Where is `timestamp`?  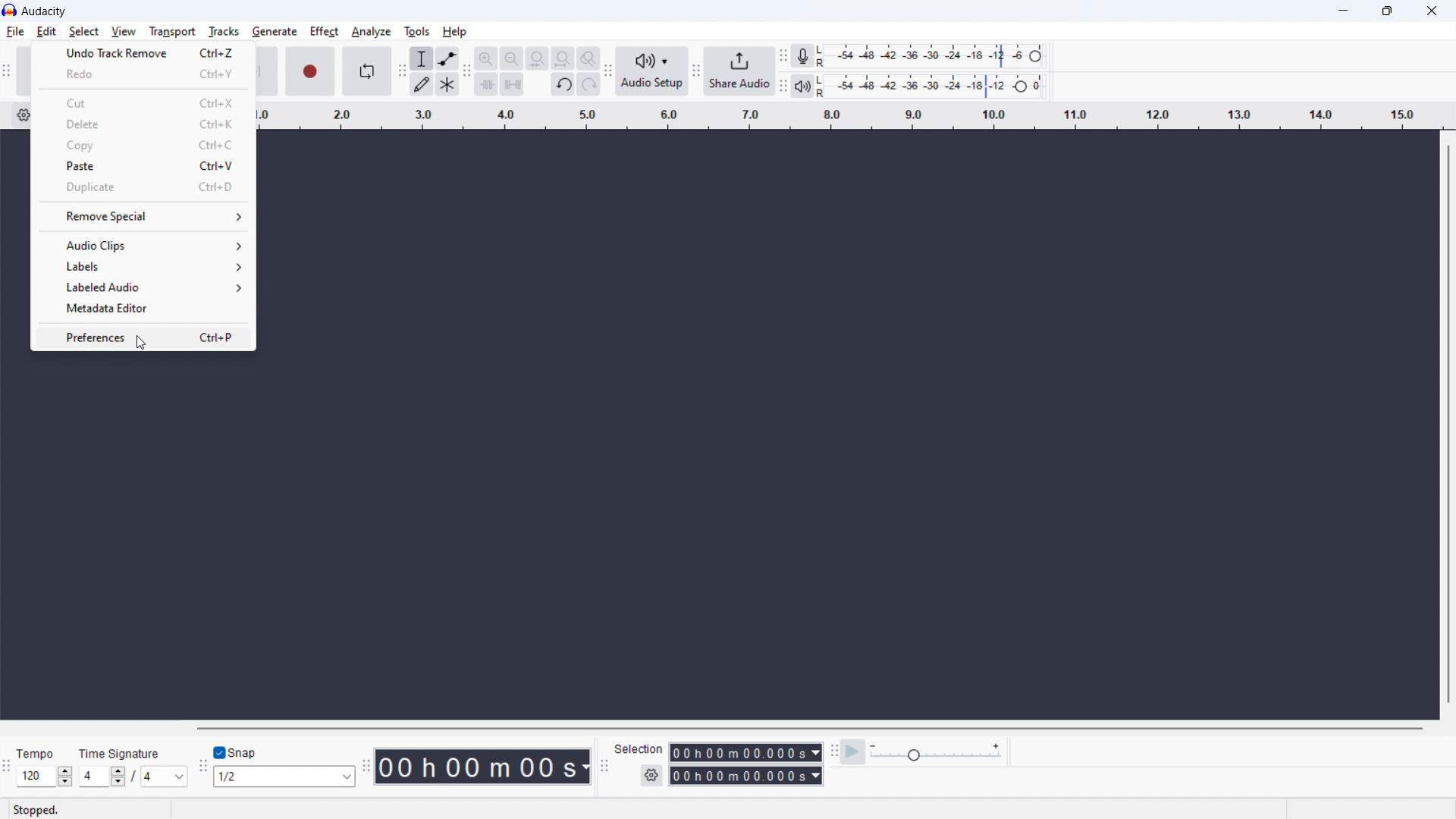
timestamp is located at coordinates (475, 767).